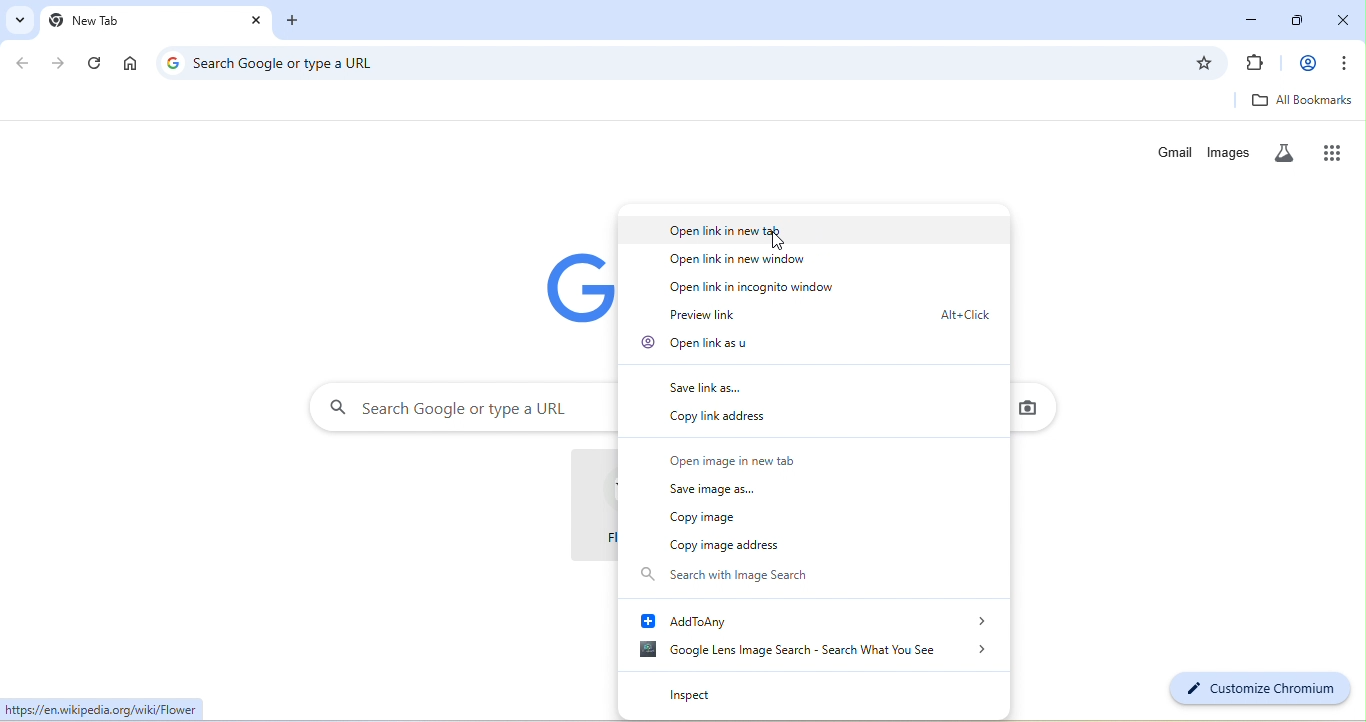  I want to click on google logo, so click(172, 62).